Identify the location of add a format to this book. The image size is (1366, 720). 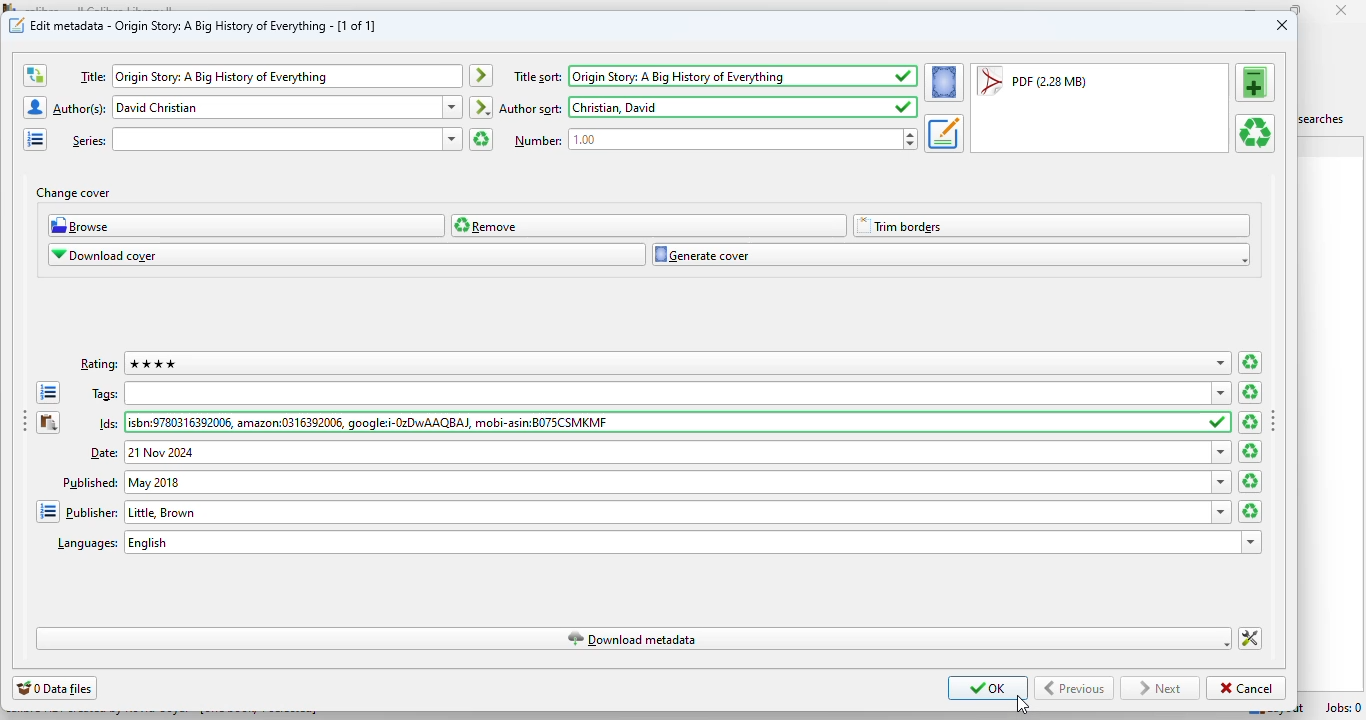
(1256, 82).